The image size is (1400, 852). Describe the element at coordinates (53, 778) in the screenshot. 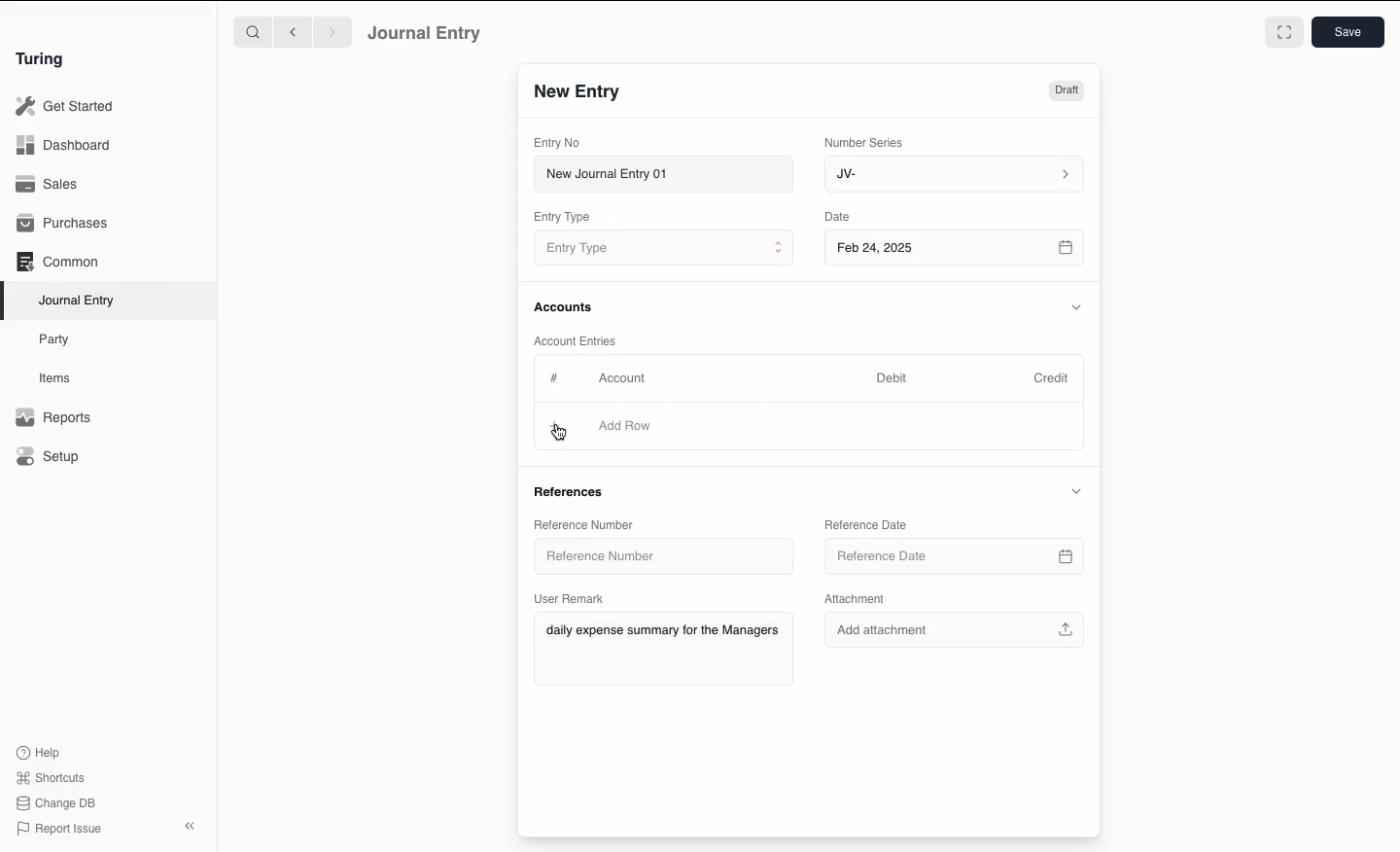

I see `Shortcuts` at that location.